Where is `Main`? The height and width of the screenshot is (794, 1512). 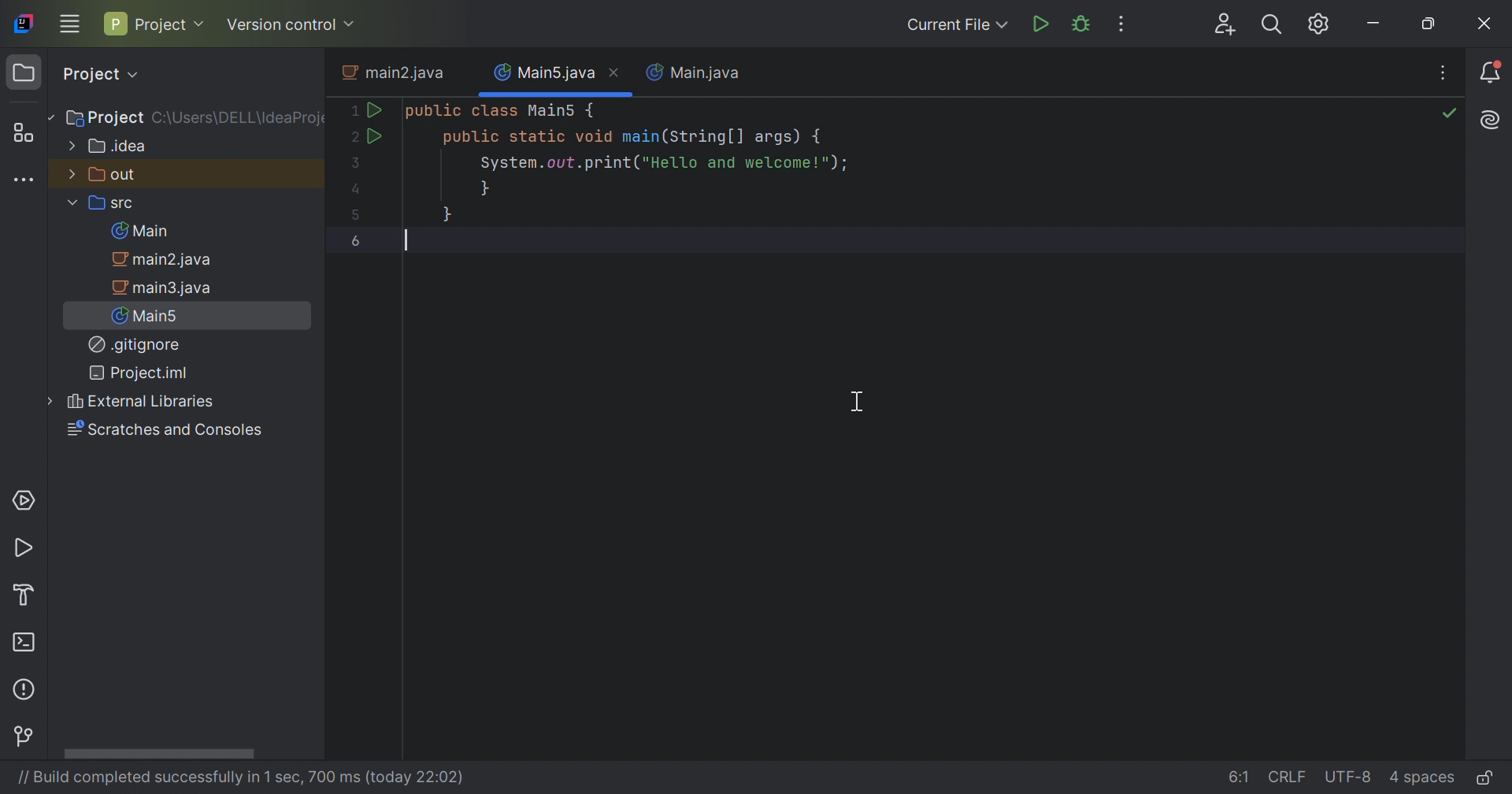
Main is located at coordinates (145, 231).